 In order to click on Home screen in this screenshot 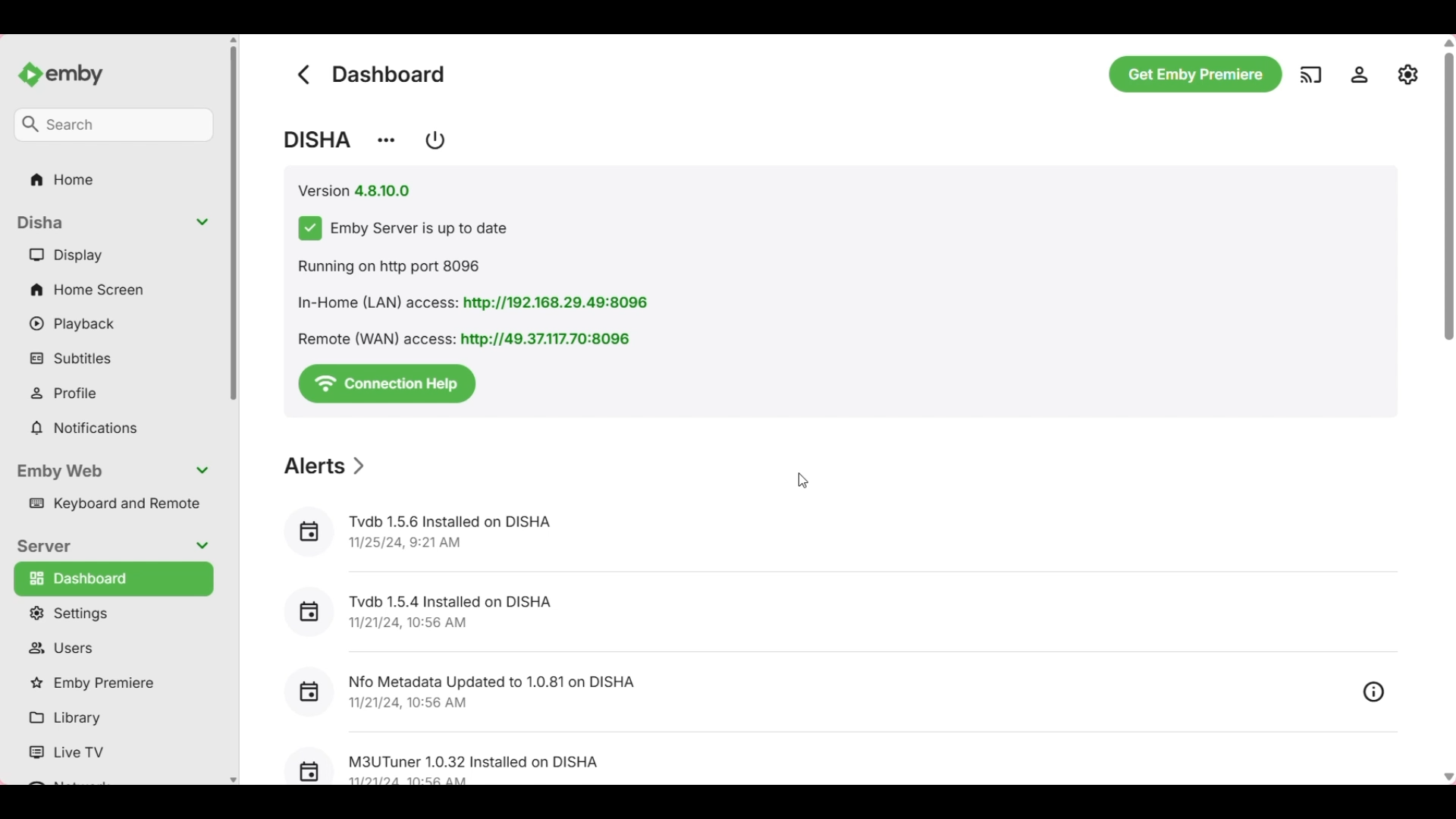, I will do `click(114, 289)`.